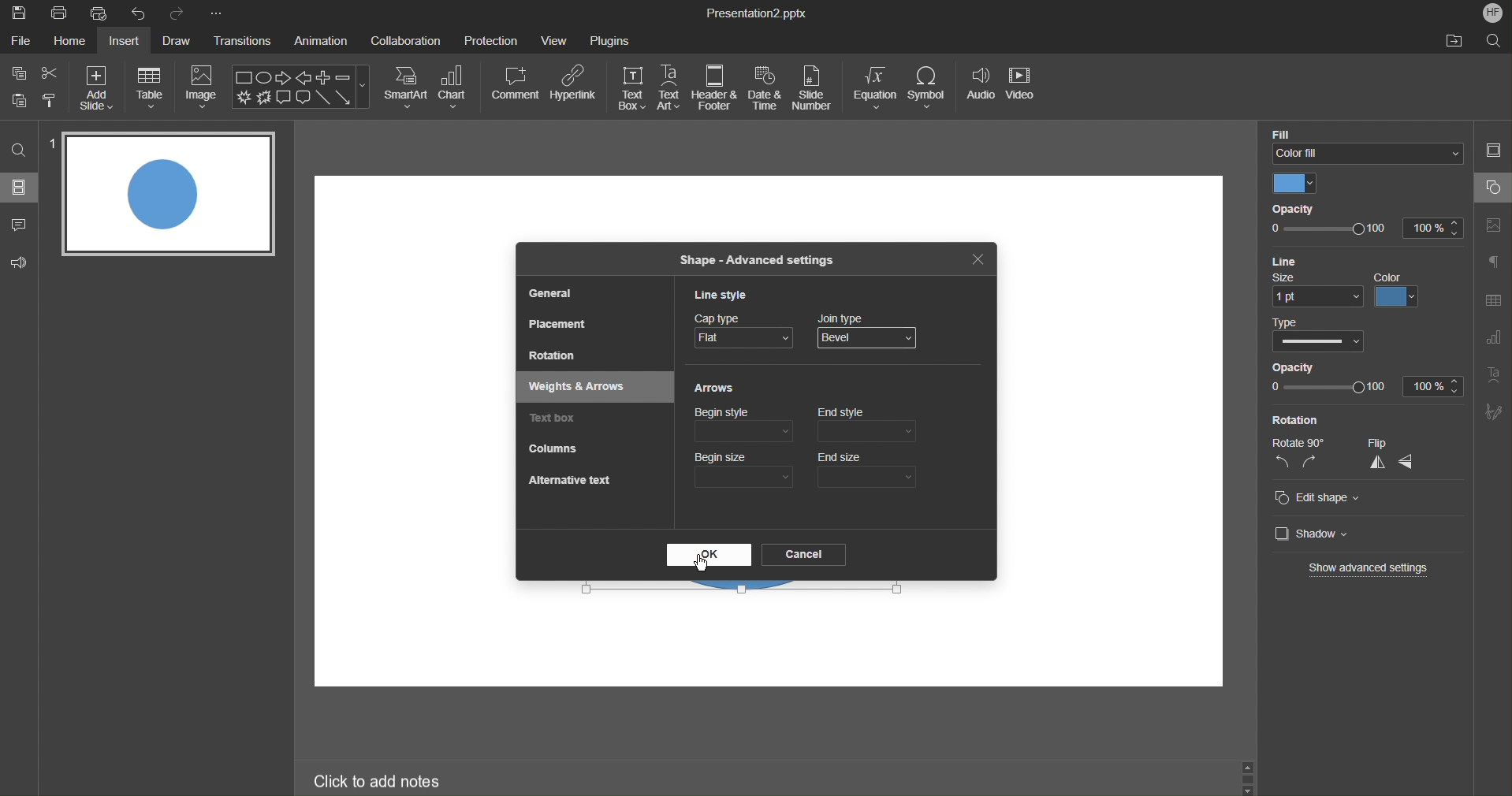 This screenshot has height=796, width=1512. Describe the element at coordinates (20, 261) in the screenshot. I see `Feedback & Support` at that location.